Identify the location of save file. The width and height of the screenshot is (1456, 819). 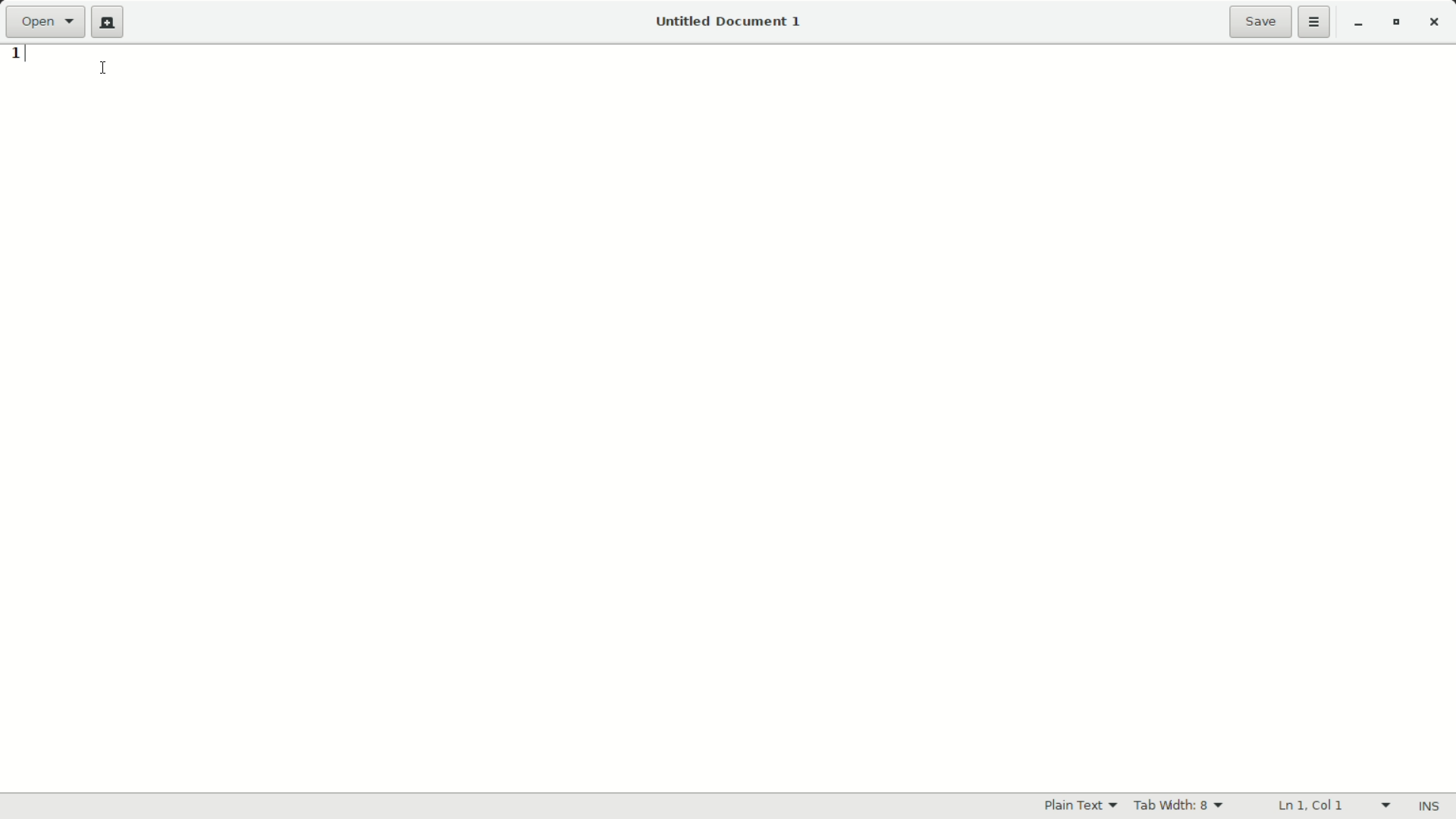
(1261, 22).